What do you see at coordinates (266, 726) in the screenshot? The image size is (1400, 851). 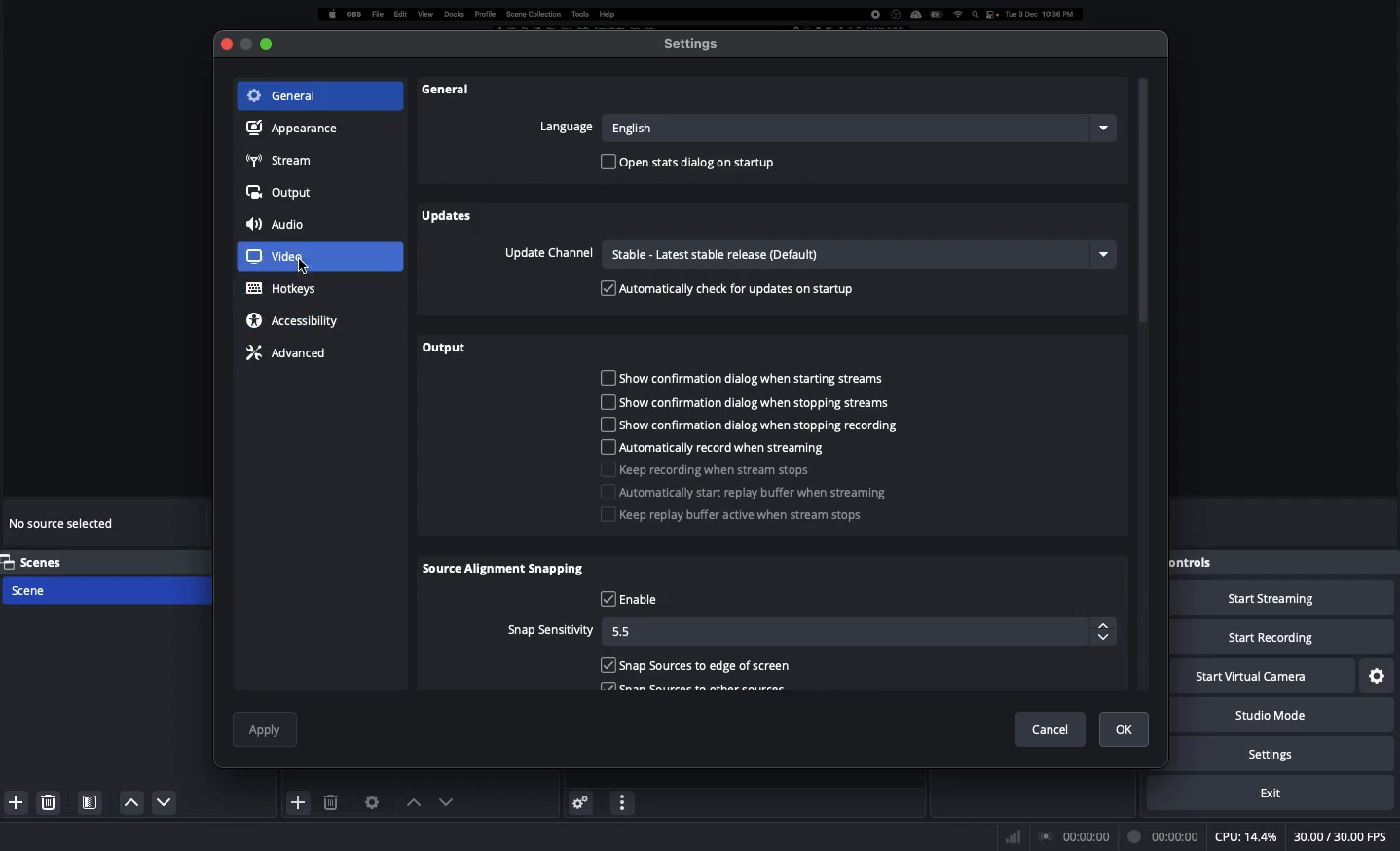 I see `Apply` at bounding box center [266, 726].